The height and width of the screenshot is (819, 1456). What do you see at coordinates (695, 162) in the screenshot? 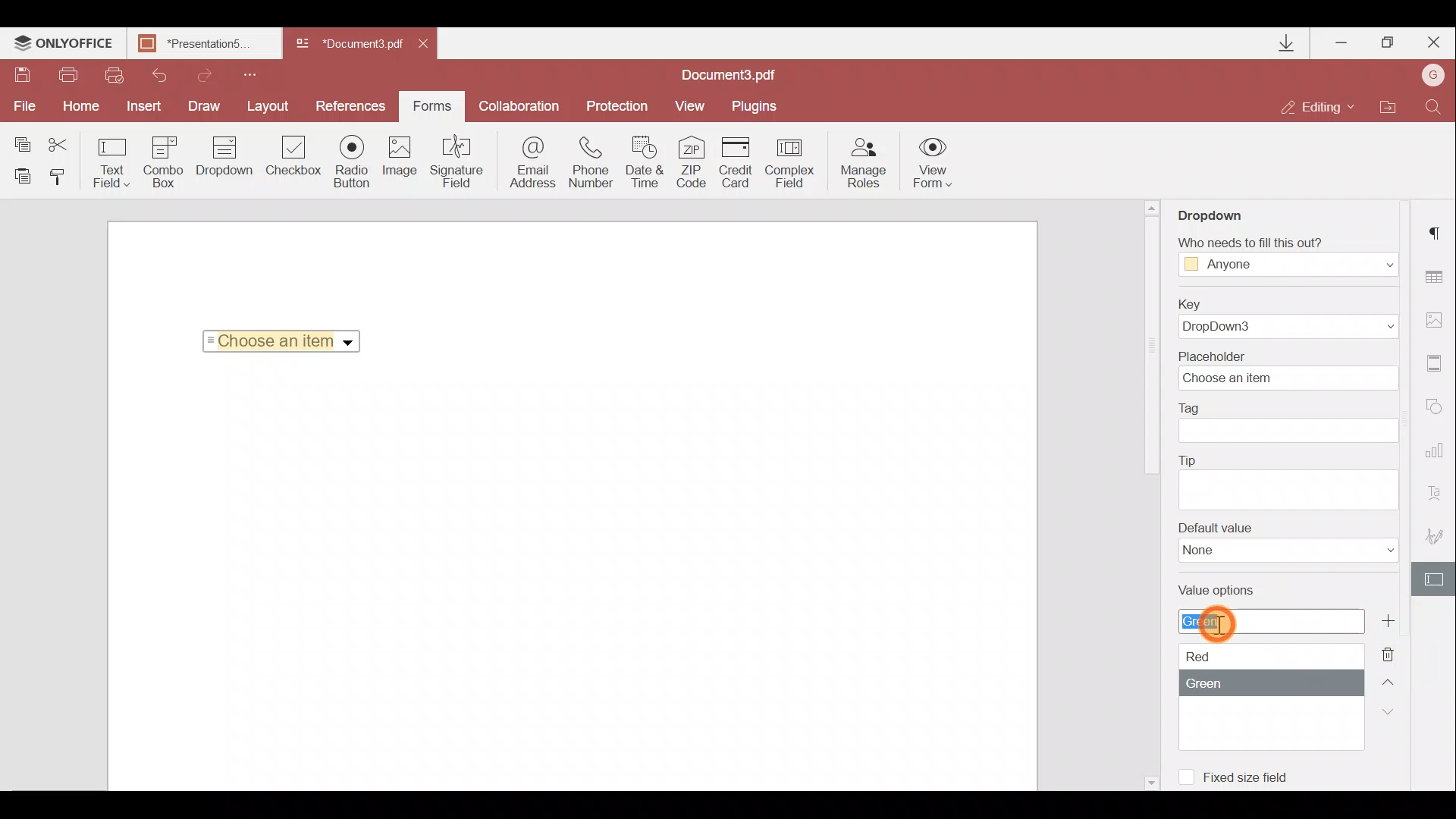
I see `ZIP code` at bounding box center [695, 162].